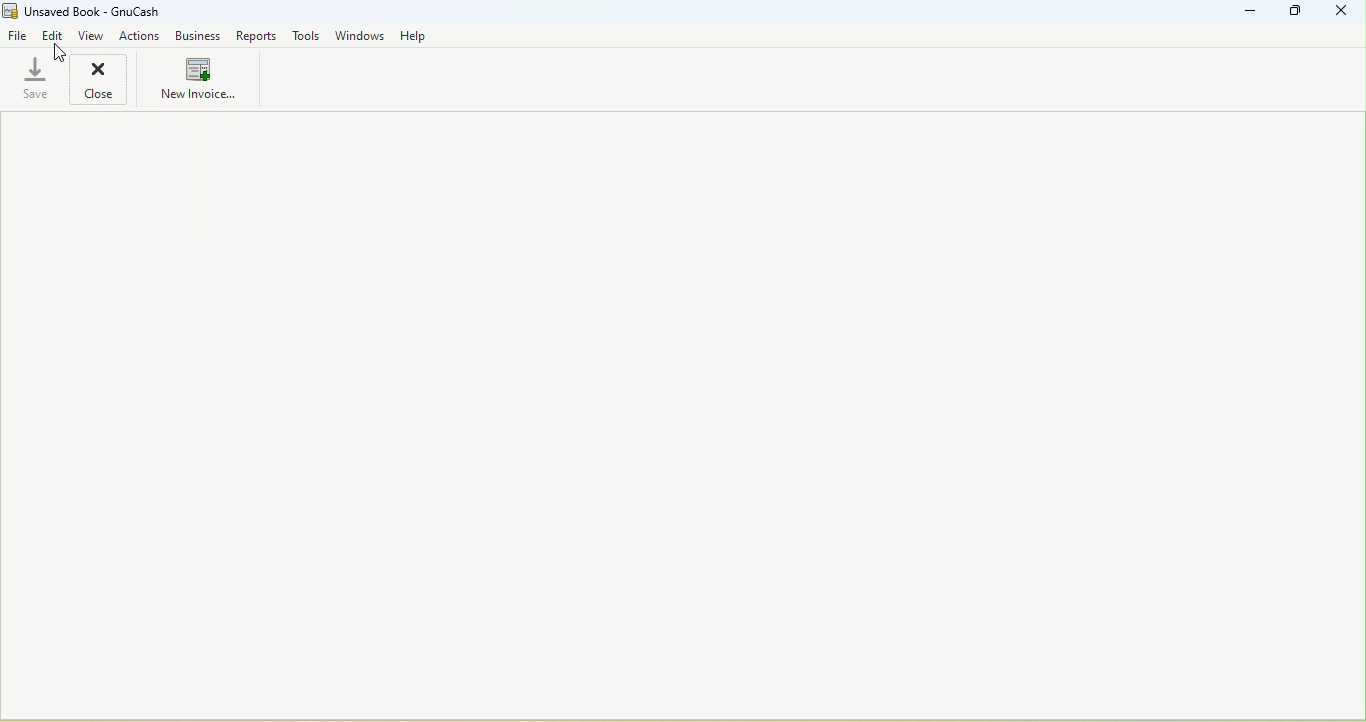 The image size is (1366, 722). What do you see at coordinates (305, 35) in the screenshot?
I see `Tools` at bounding box center [305, 35].